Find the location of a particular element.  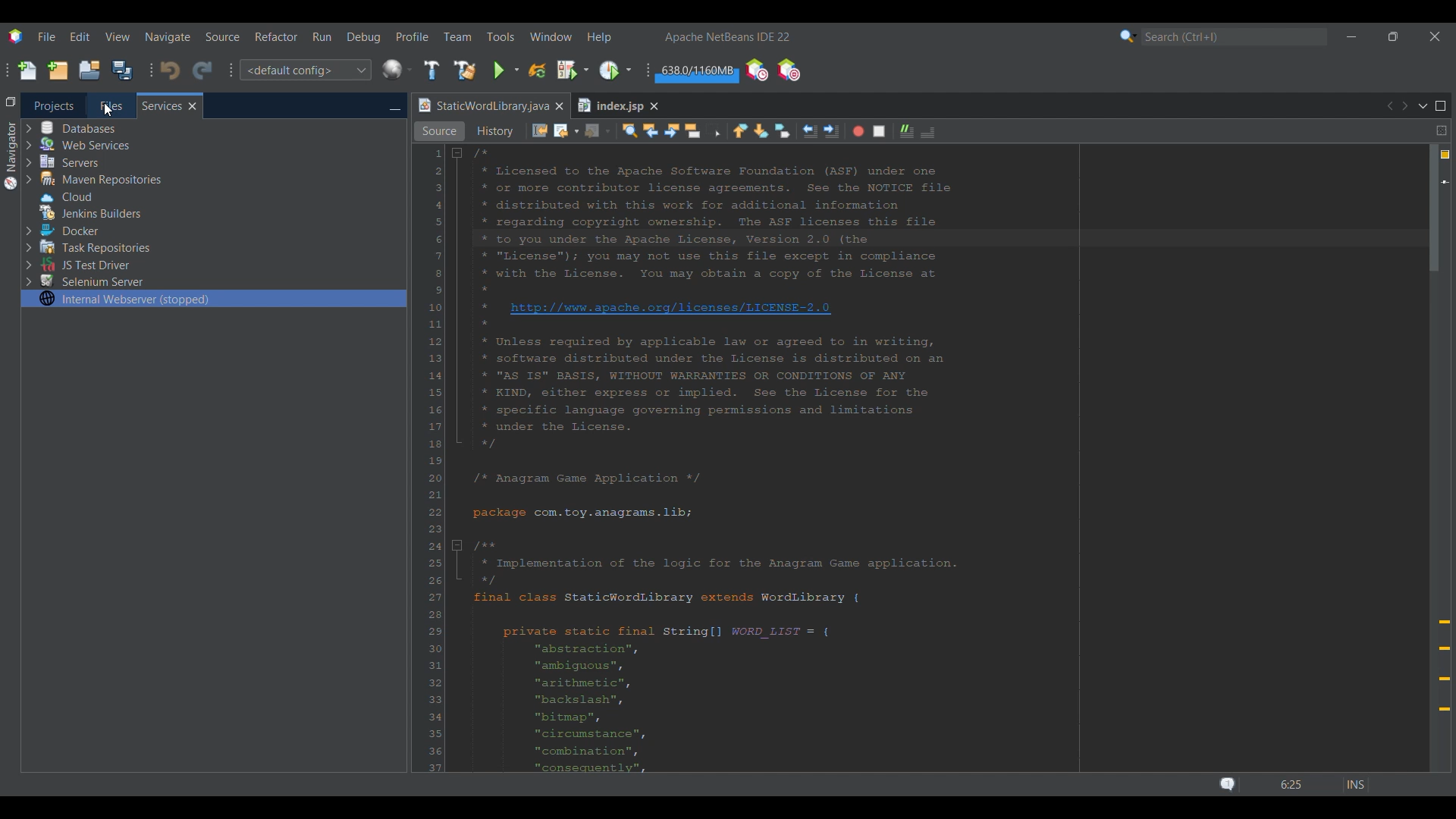

New project is located at coordinates (58, 70).